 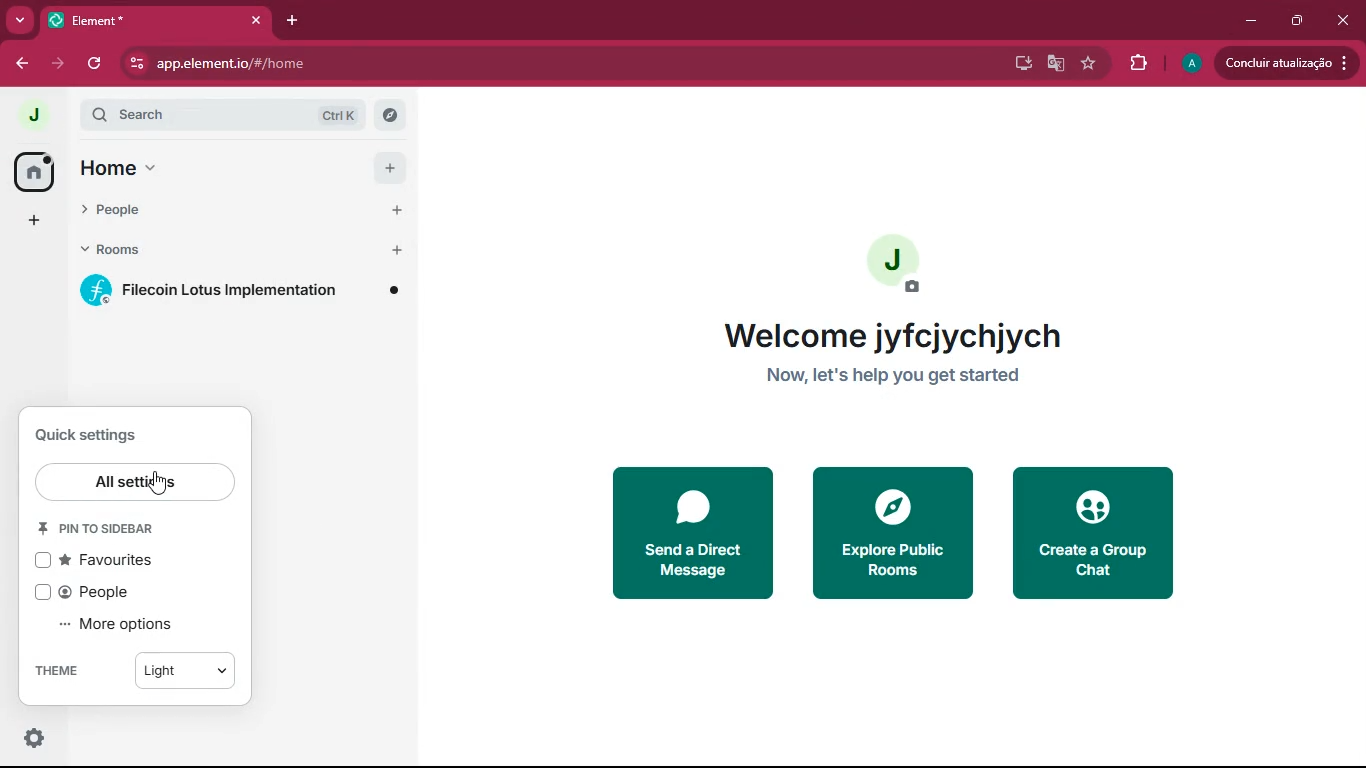 What do you see at coordinates (94, 593) in the screenshot?
I see `people` at bounding box center [94, 593].